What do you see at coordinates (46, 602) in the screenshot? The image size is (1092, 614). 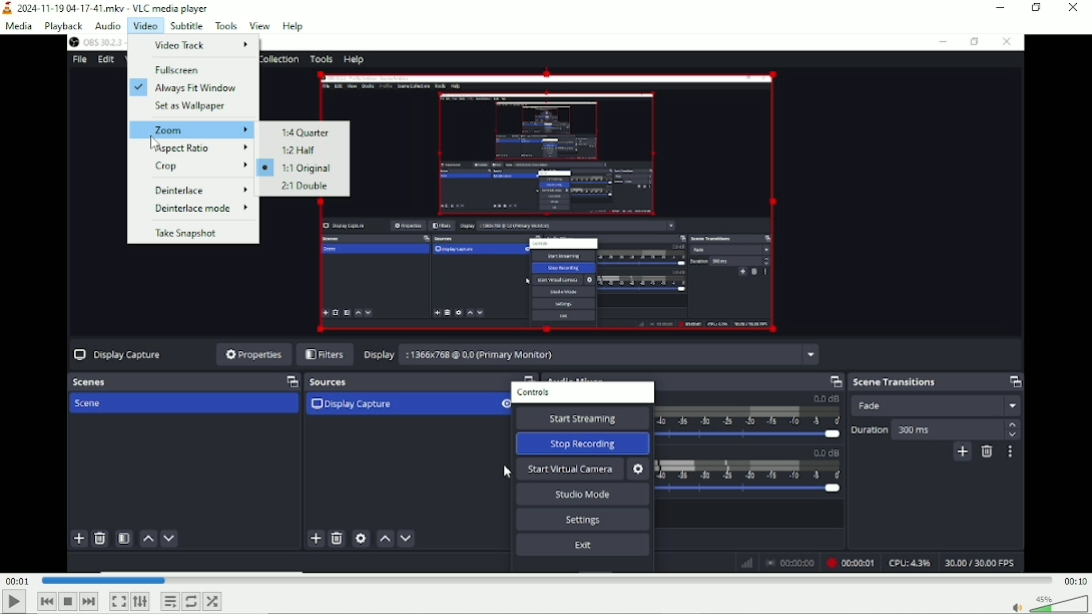 I see `previous` at bounding box center [46, 602].